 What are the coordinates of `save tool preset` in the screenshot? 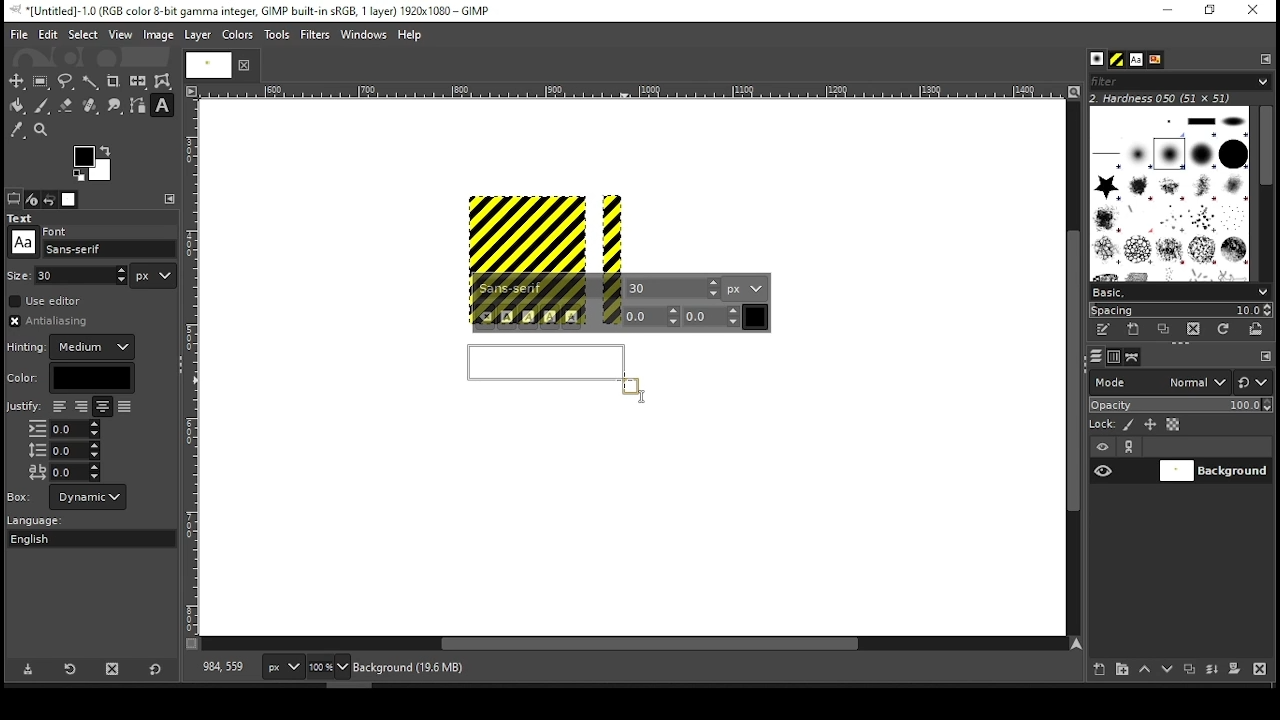 It's located at (30, 668).